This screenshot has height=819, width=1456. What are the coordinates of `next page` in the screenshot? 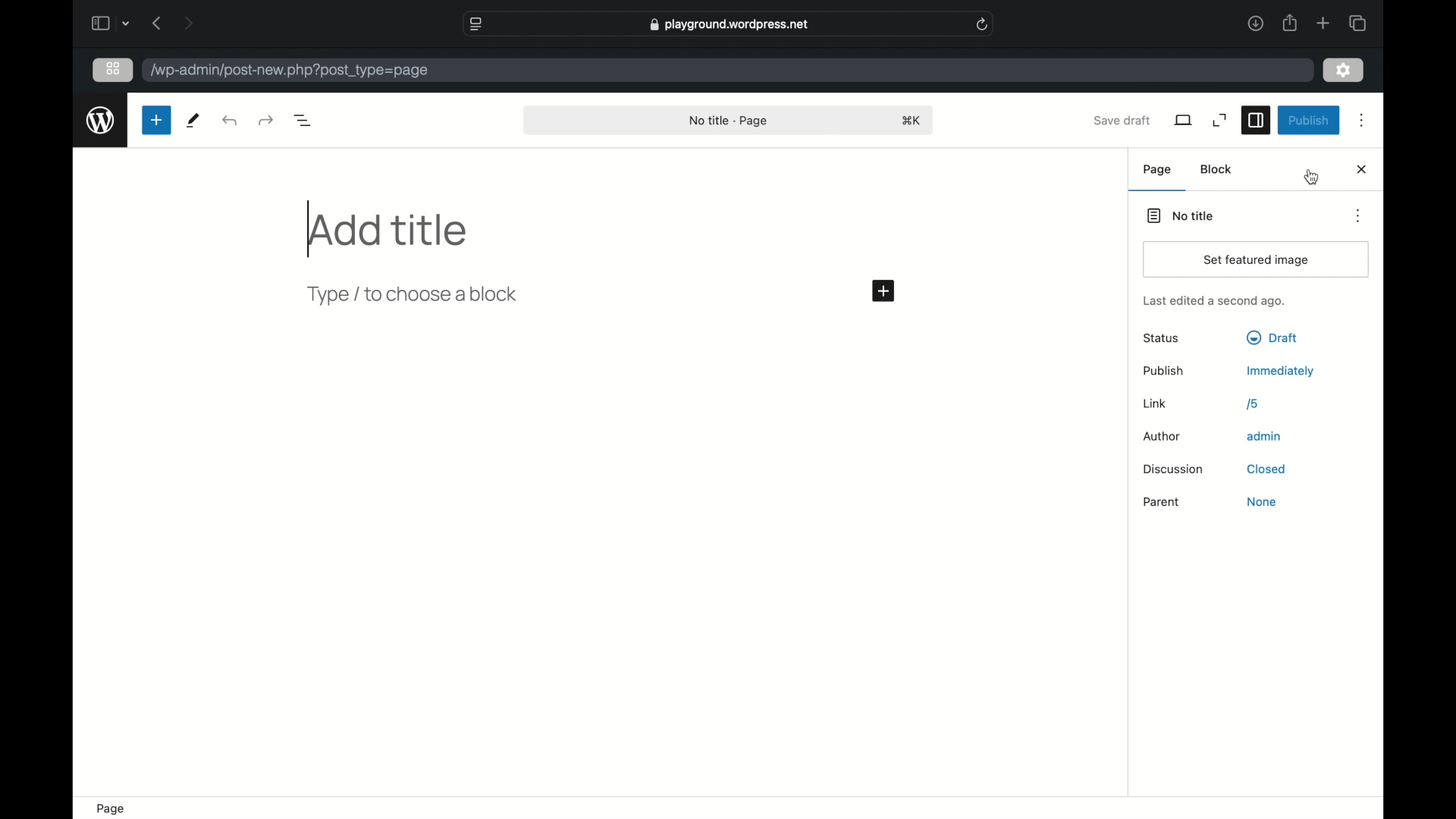 It's located at (189, 24).